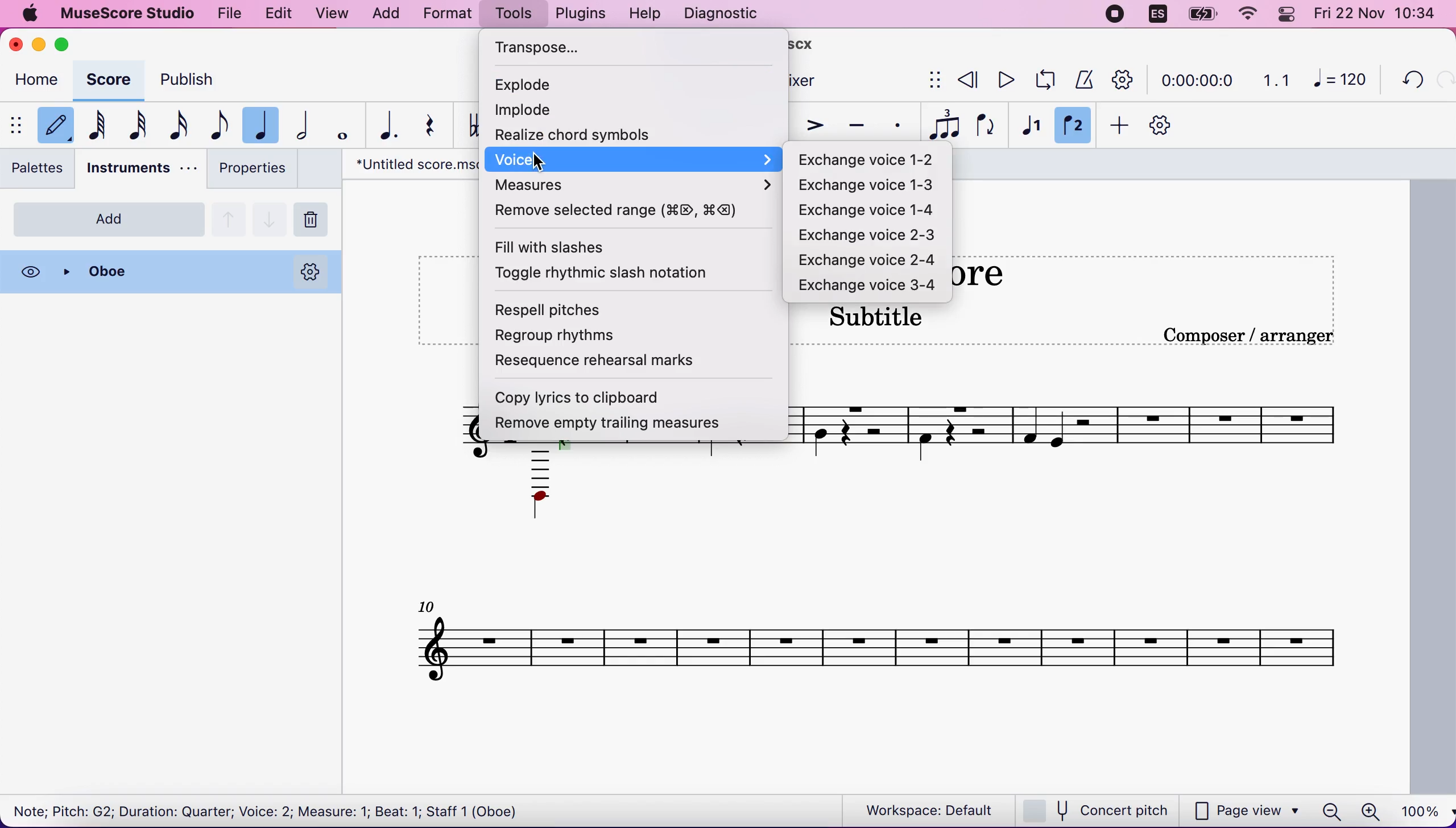  What do you see at coordinates (435, 129) in the screenshot?
I see `rest` at bounding box center [435, 129].